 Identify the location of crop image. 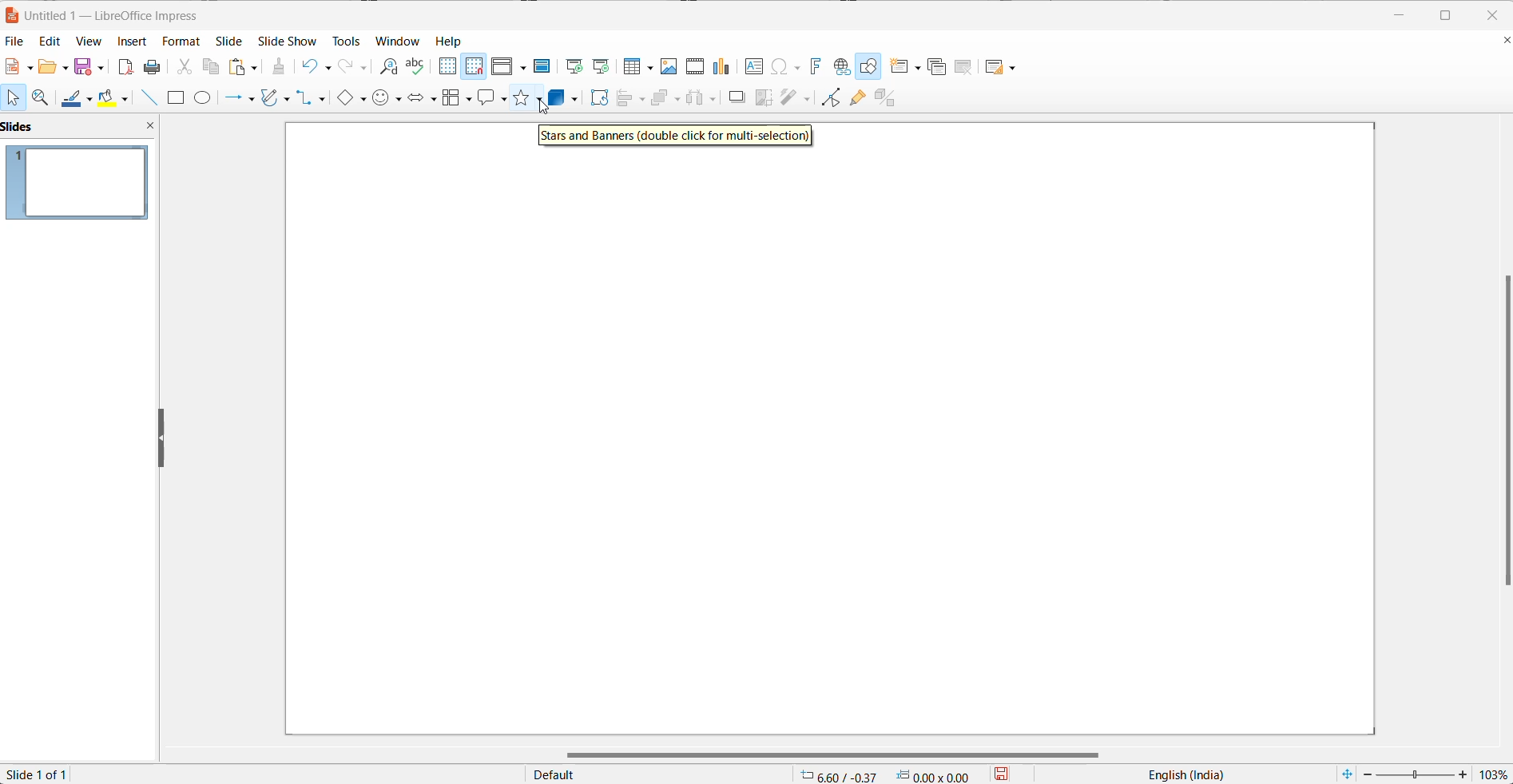
(760, 98).